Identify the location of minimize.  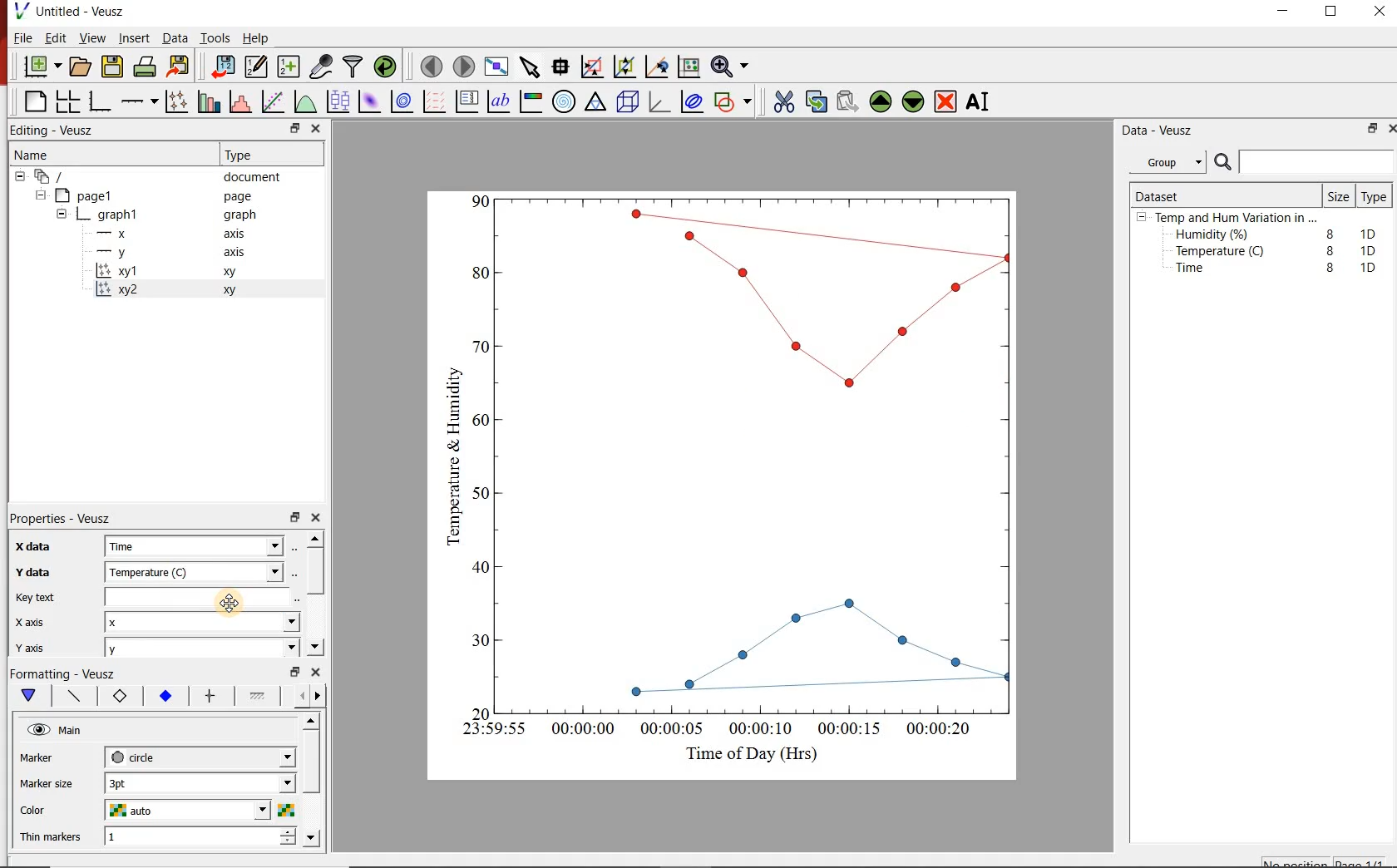
(1289, 12).